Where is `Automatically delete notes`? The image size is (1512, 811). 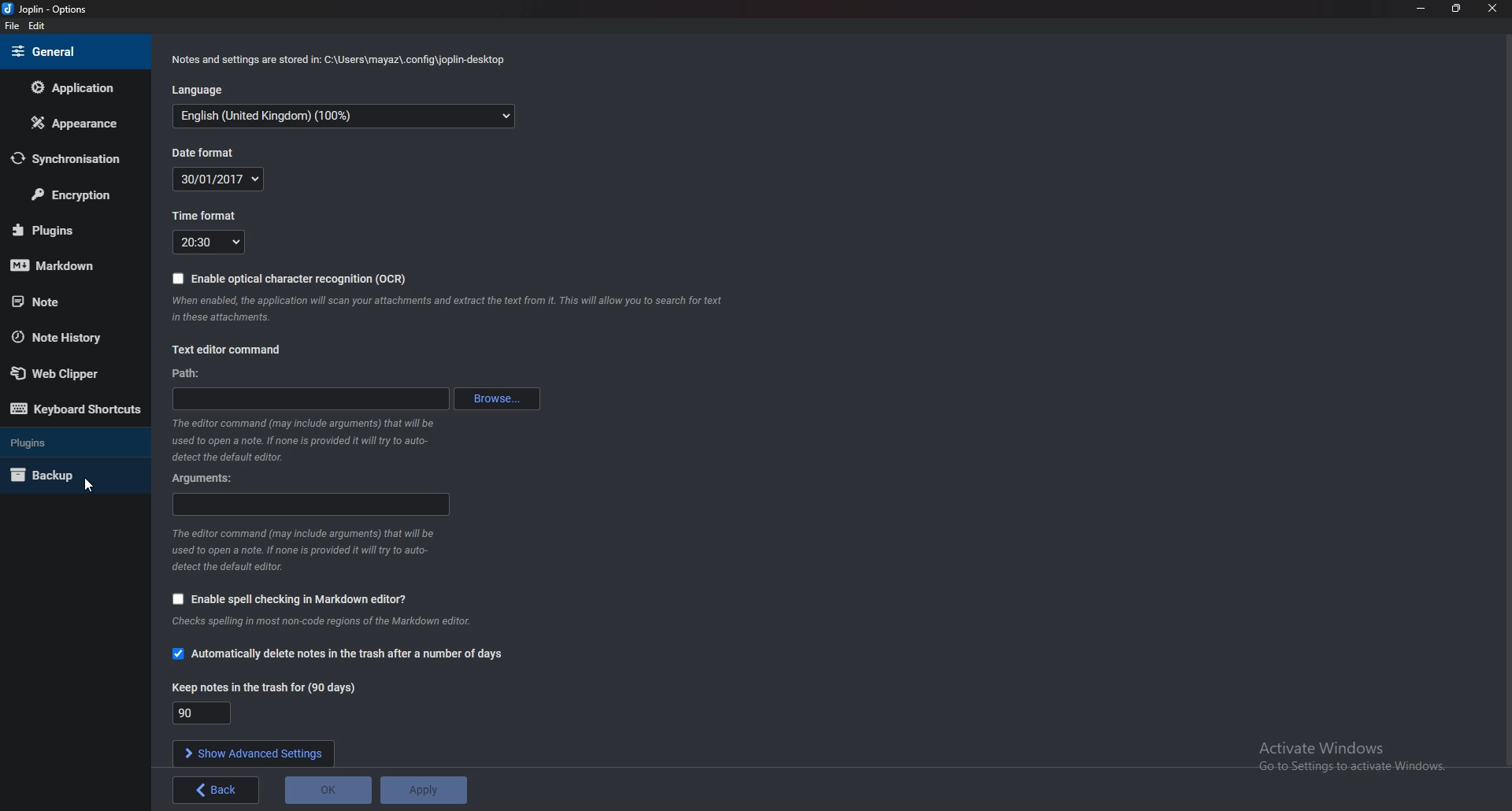 Automatically delete notes is located at coordinates (339, 653).